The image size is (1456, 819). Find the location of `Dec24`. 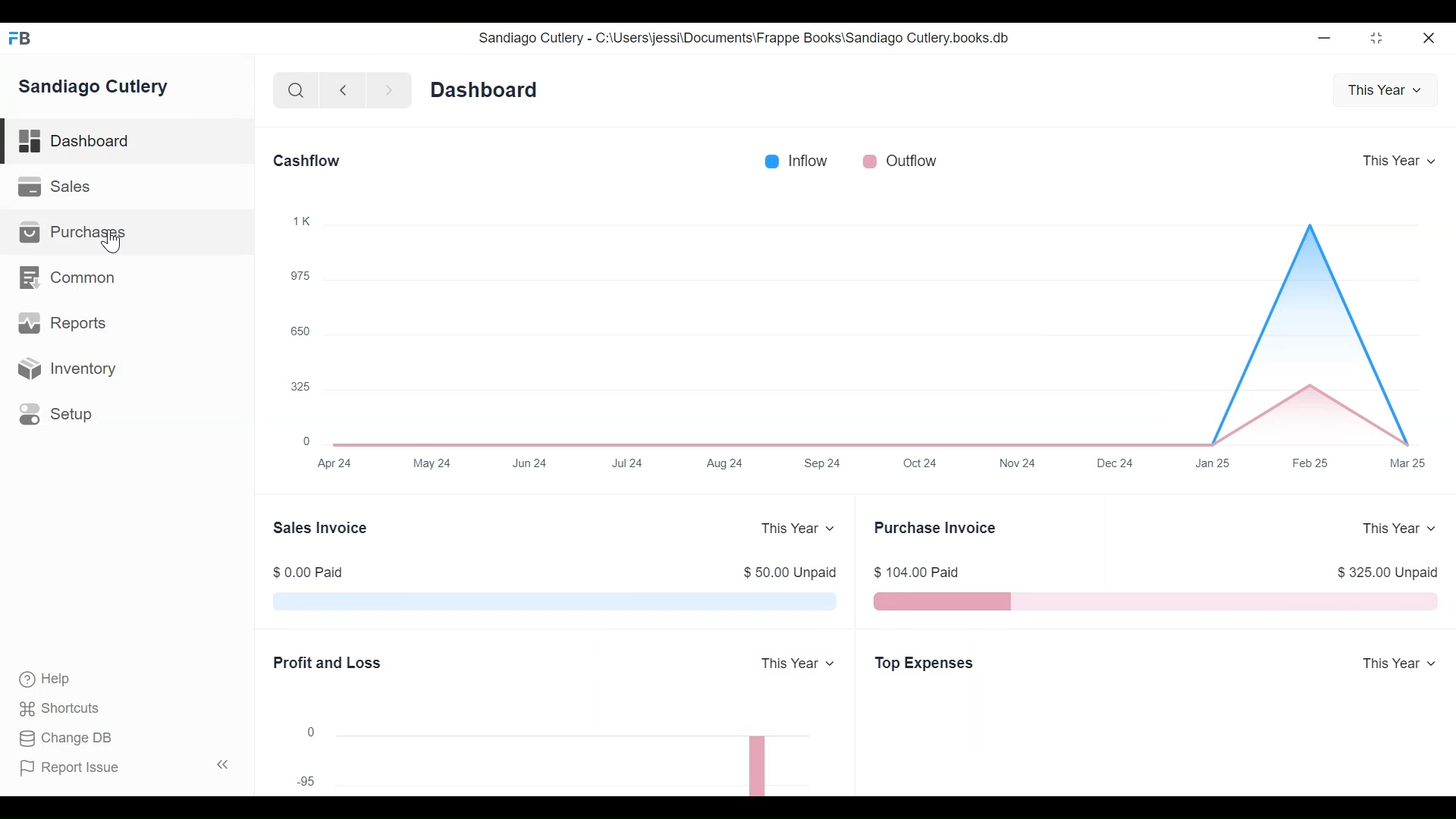

Dec24 is located at coordinates (1116, 462).